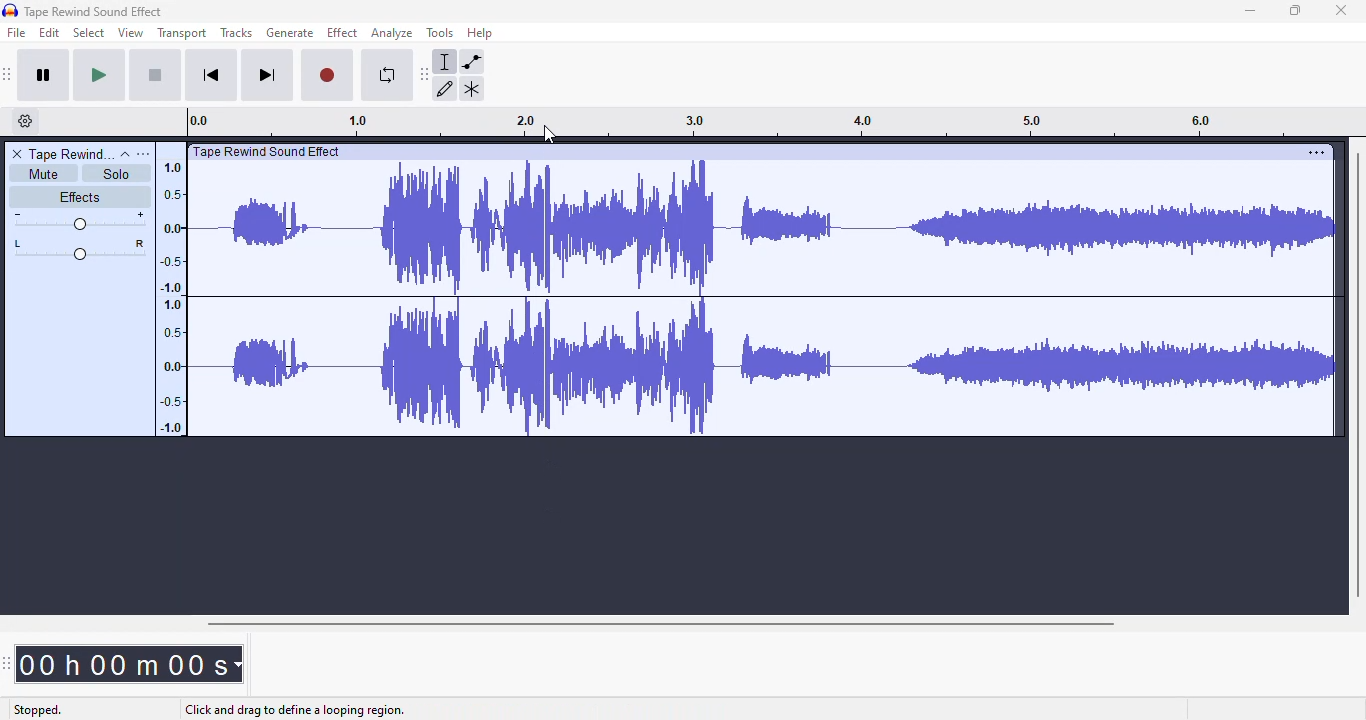  I want to click on volume, so click(79, 222).